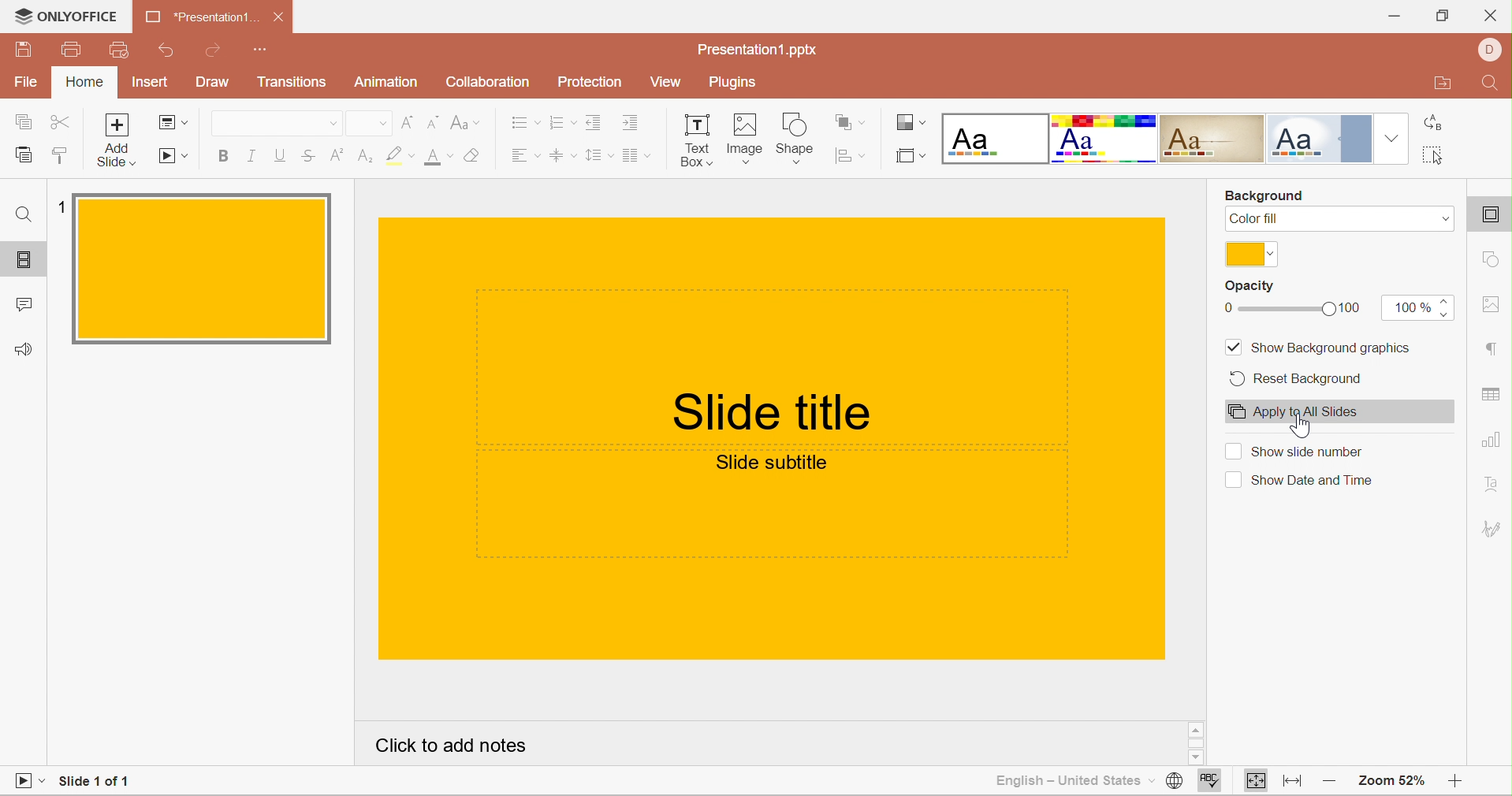  I want to click on 100%, so click(1409, 308).